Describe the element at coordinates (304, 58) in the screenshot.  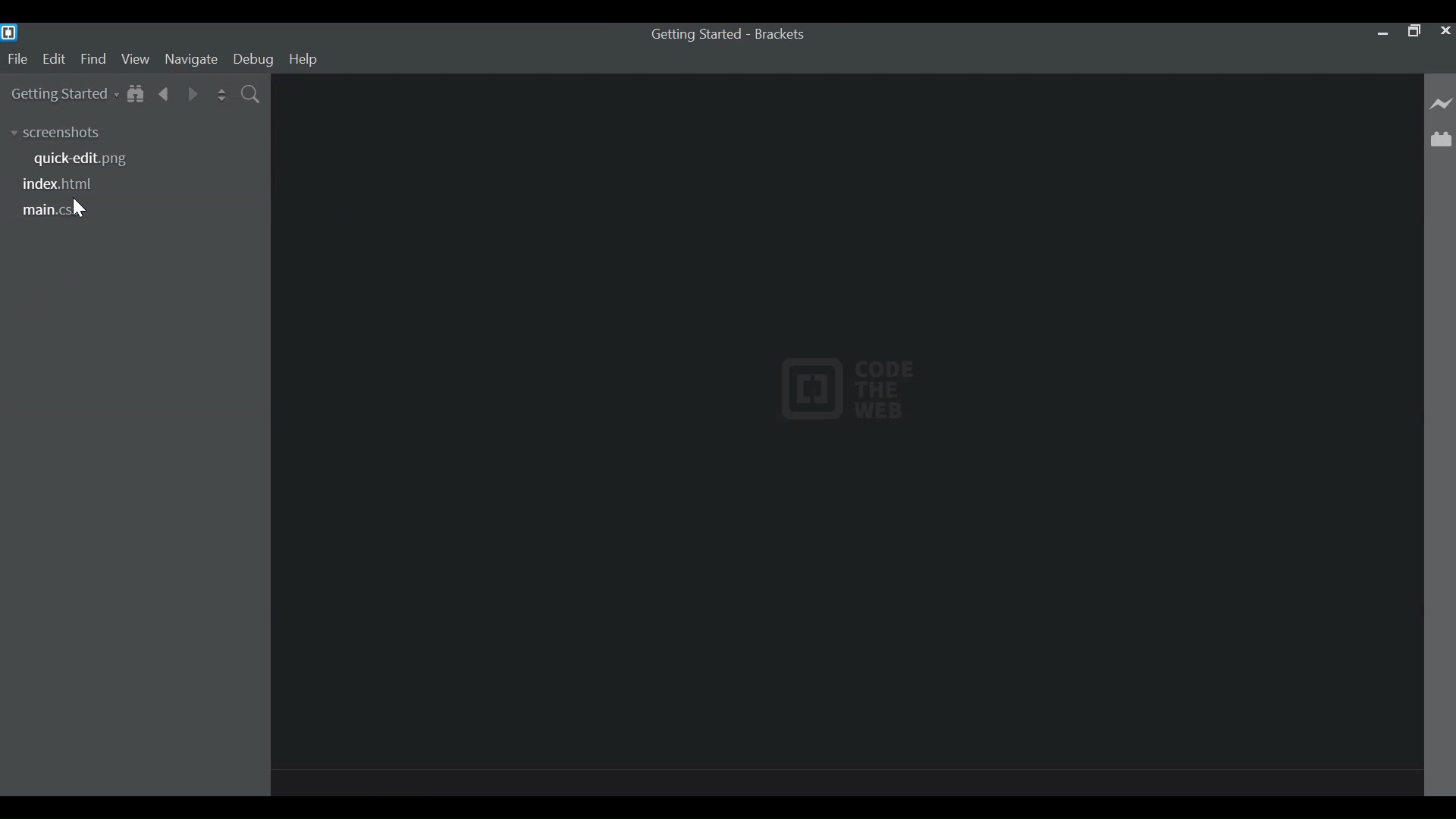
I see `Help` at that location.